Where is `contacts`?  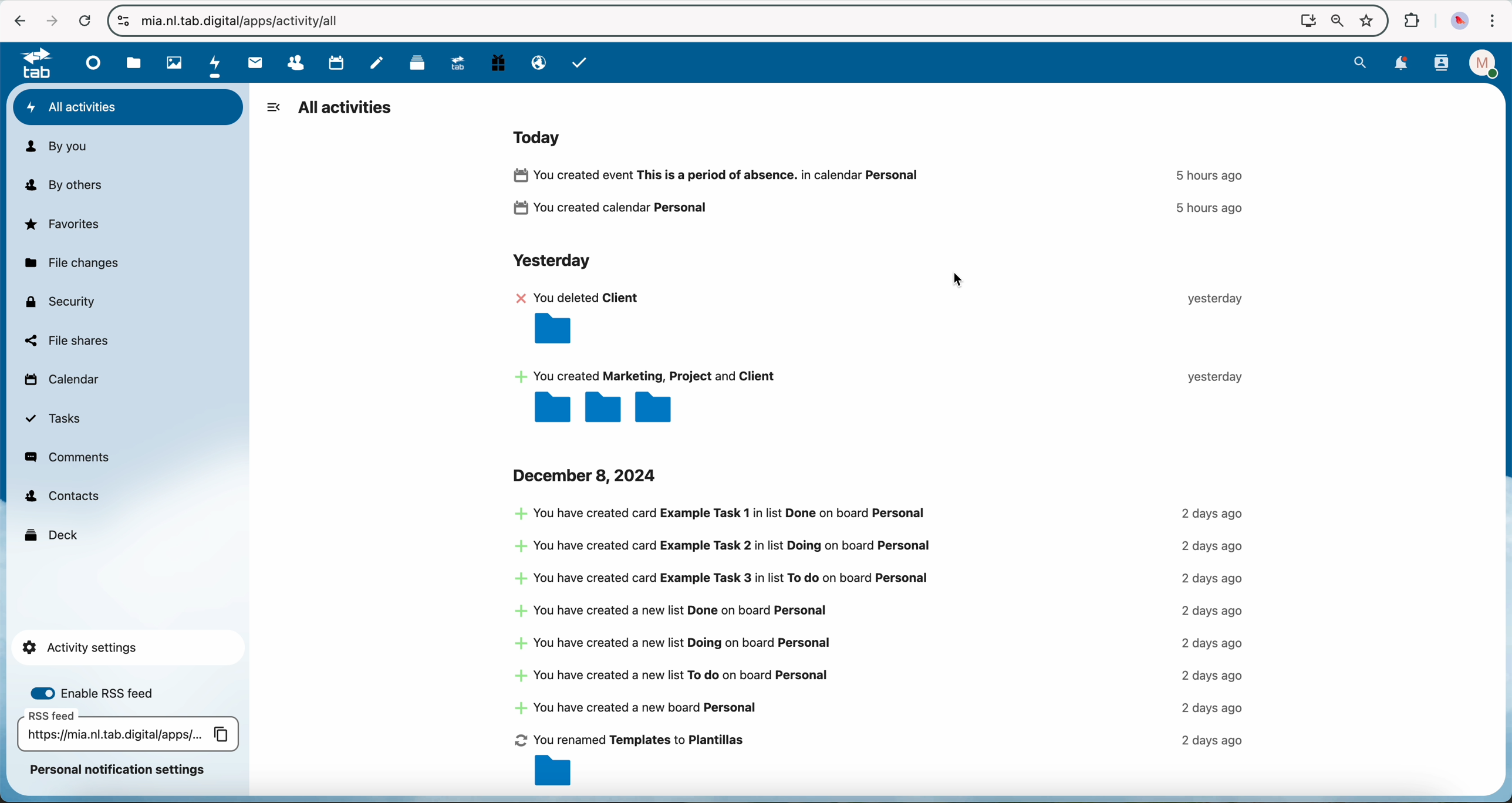
contacts is located at coordinates (1443, 63).